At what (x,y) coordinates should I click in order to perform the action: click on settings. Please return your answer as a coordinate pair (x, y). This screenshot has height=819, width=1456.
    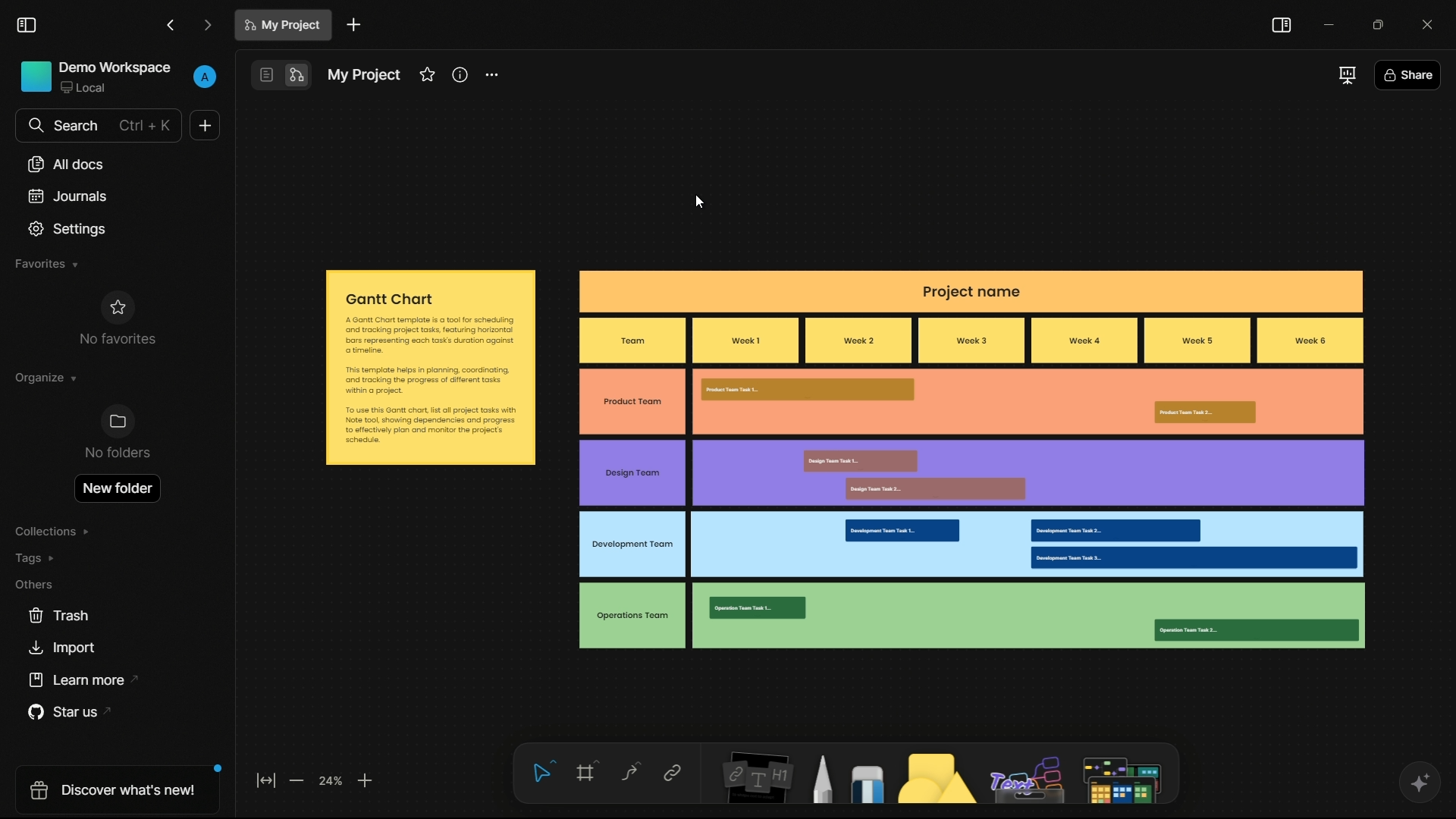
    Looking at the image, I should click on (68, 229).